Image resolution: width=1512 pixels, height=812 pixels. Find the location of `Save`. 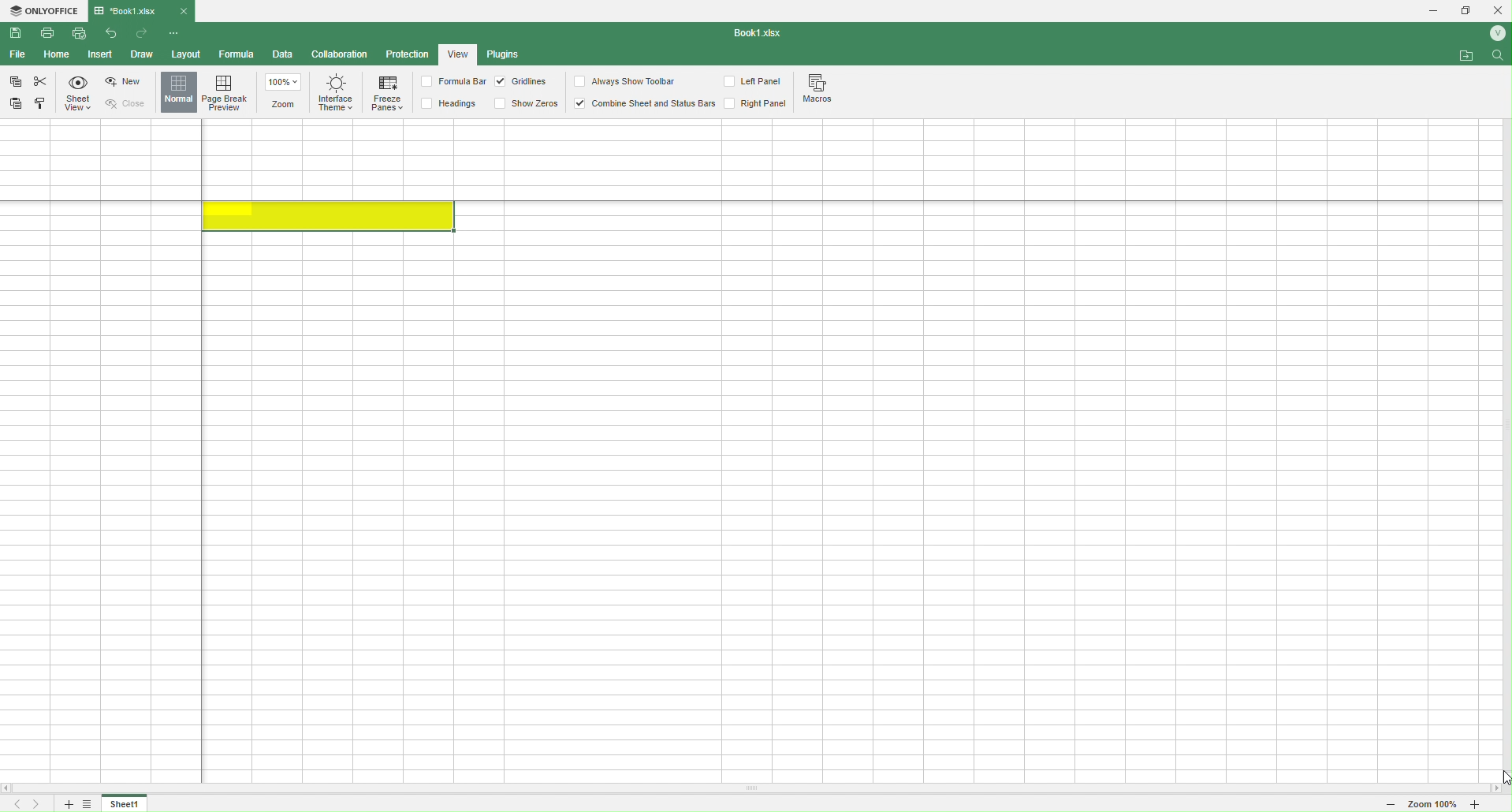

Save is located at coordinates (17, 33).